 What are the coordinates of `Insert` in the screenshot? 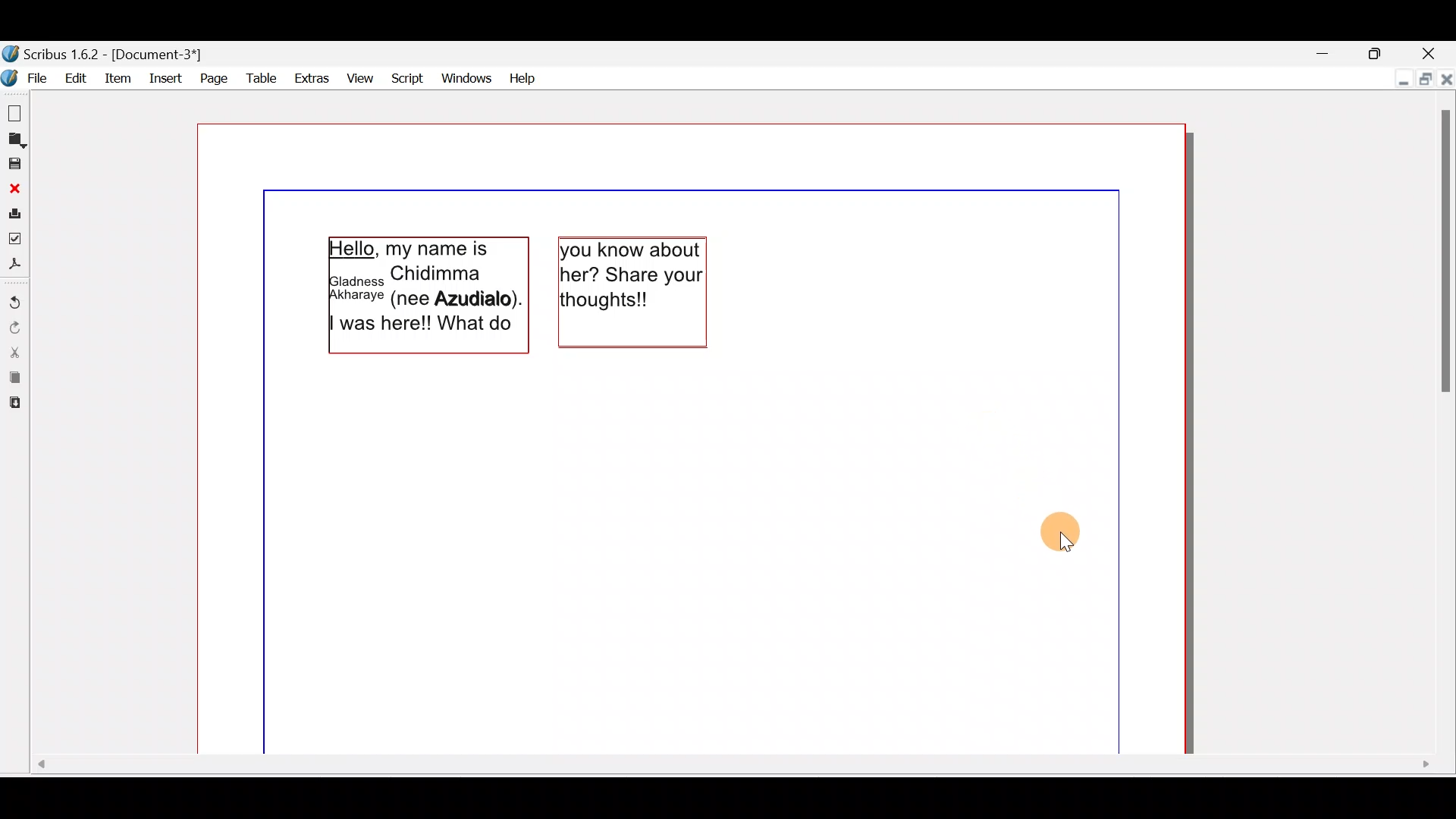 It's located at (163, 76).